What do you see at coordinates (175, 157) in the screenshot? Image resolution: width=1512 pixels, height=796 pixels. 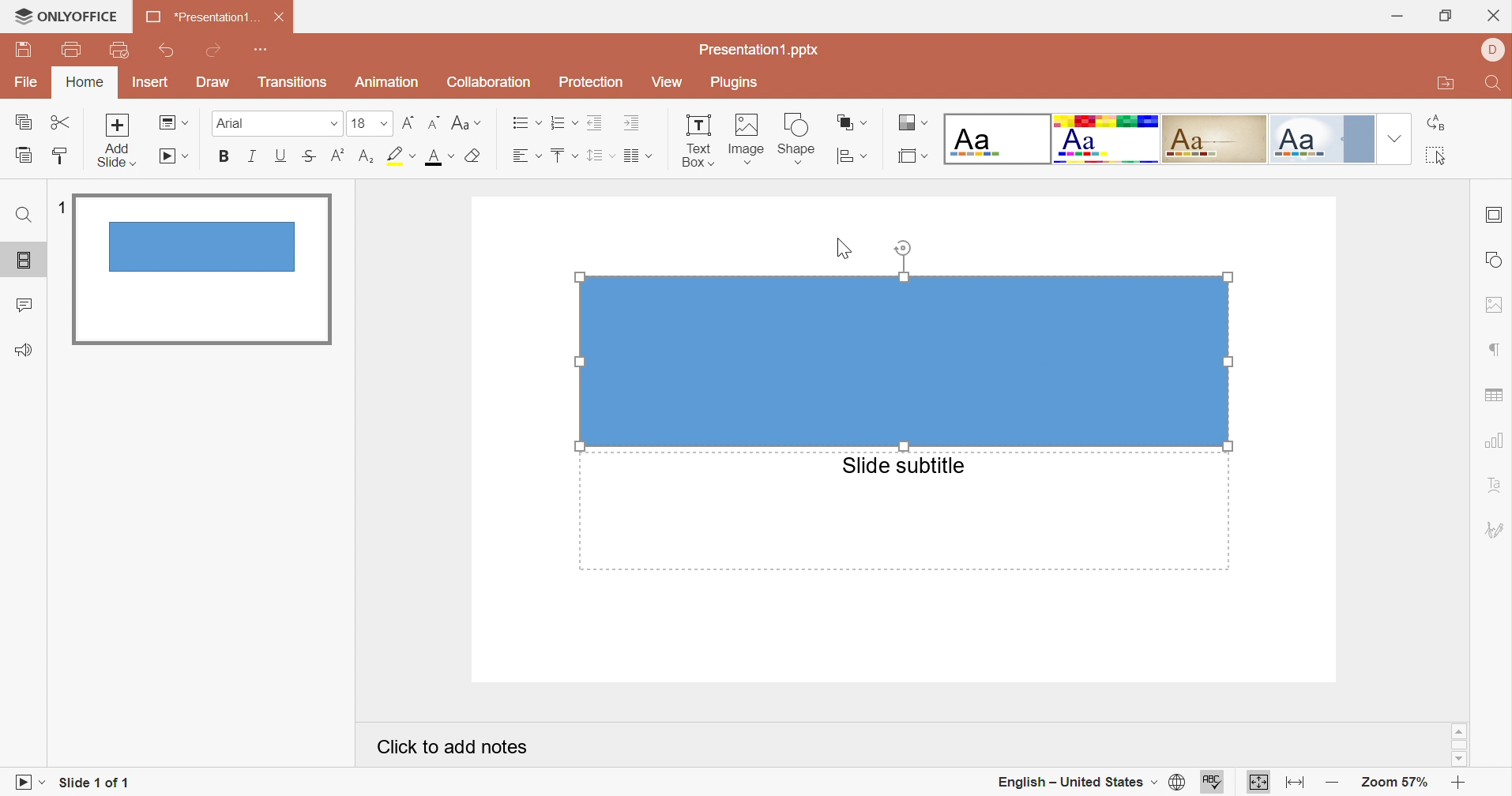 I see `Start slideshow` at bounding box center [175, 157].